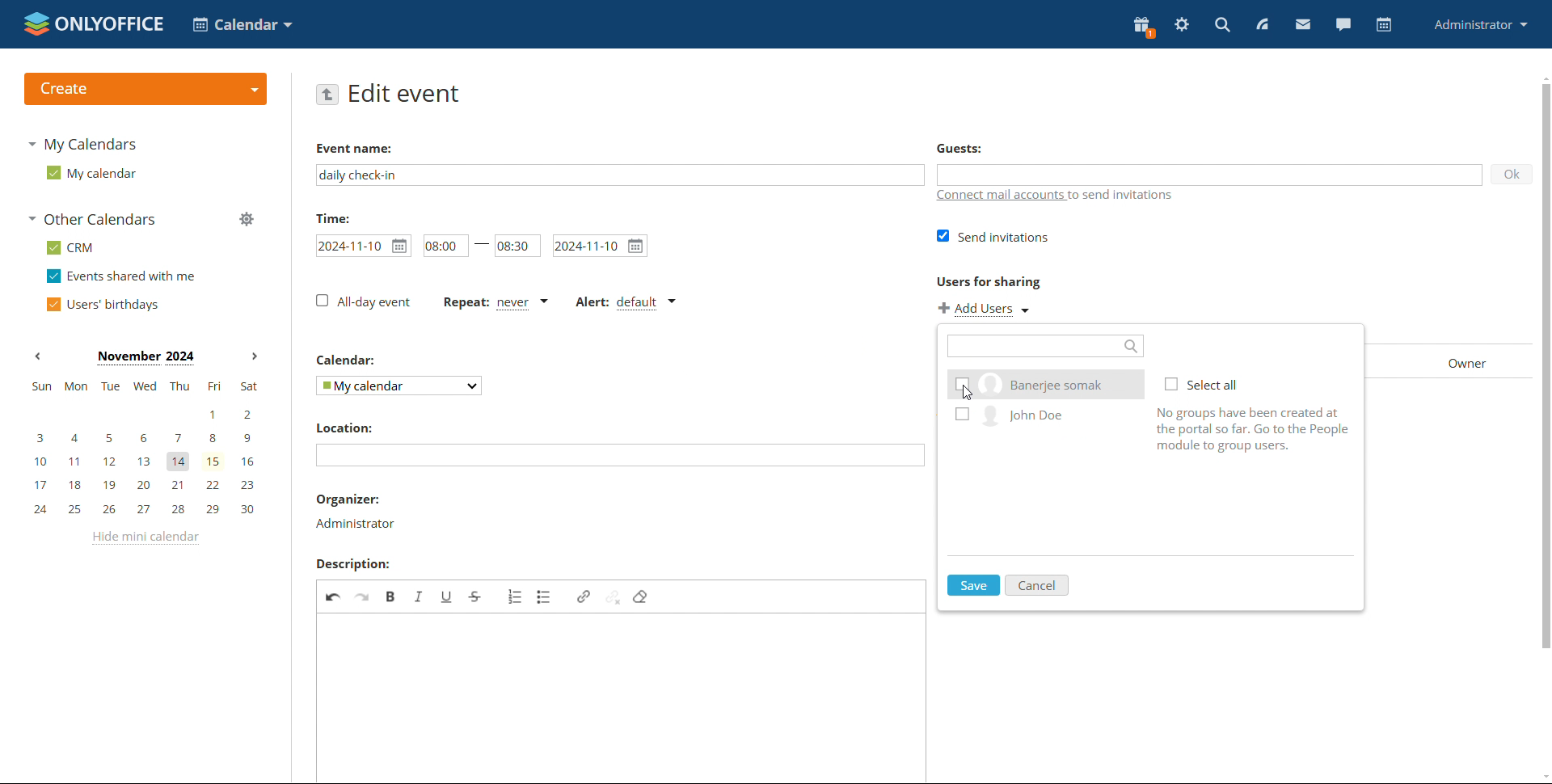 Image resolution: width=1552 pixels, height=784 pixels. Describe the element at coordinates (614, 595) in the screenshot. I see `unlink` at that location.